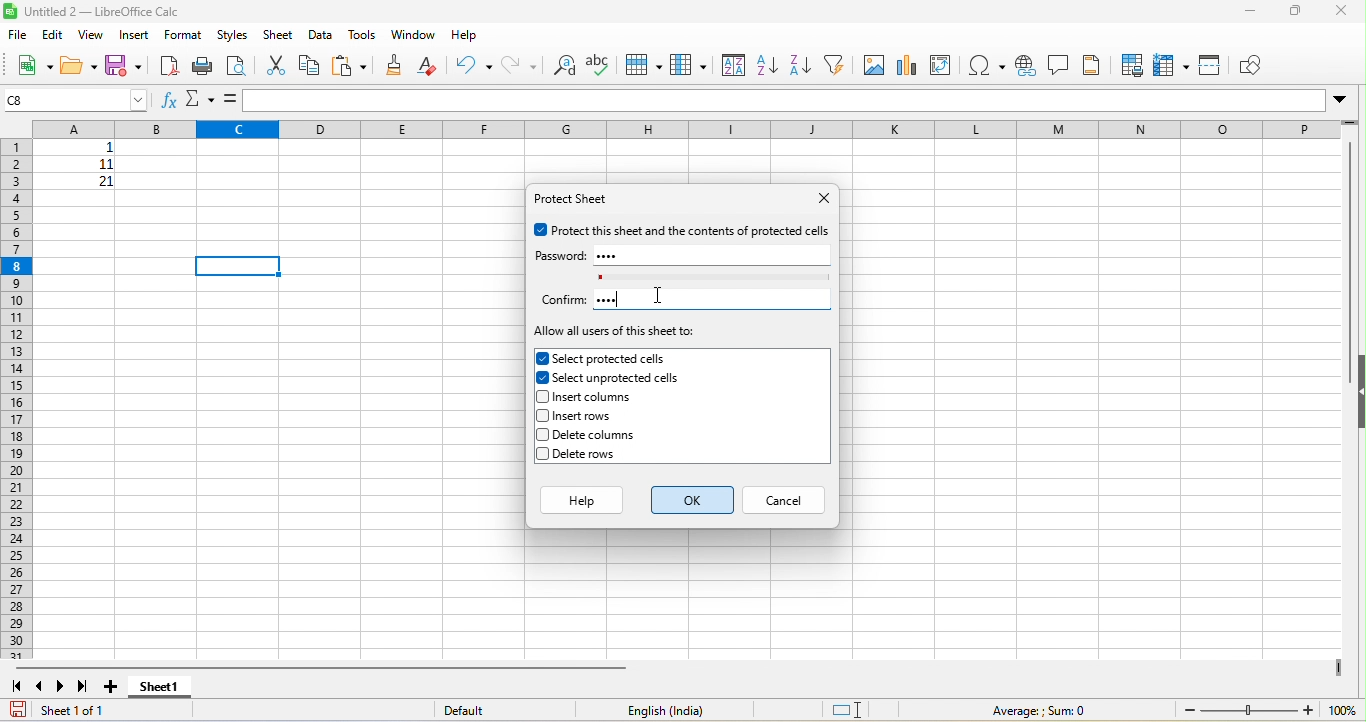 This screenshot has width=1366, height=722. I want to click on selected cell number, so click(77, 99).